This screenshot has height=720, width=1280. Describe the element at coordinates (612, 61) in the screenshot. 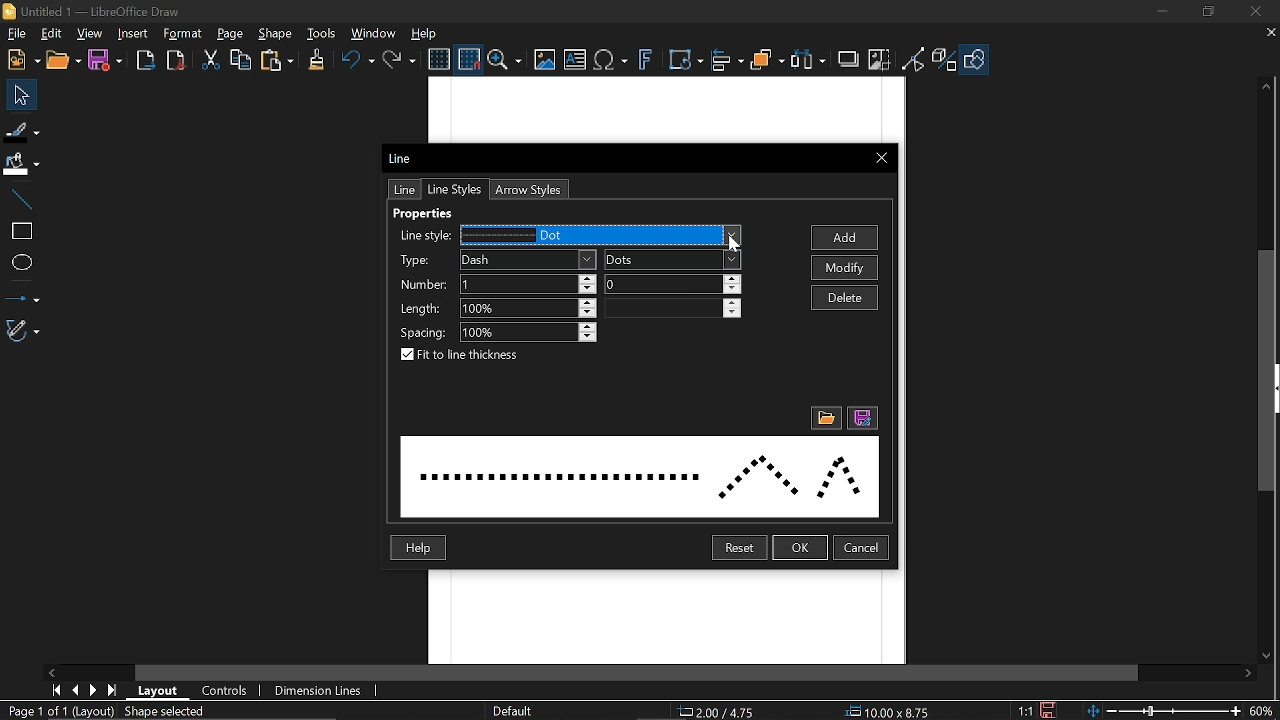

I see `Insert text` at that location.